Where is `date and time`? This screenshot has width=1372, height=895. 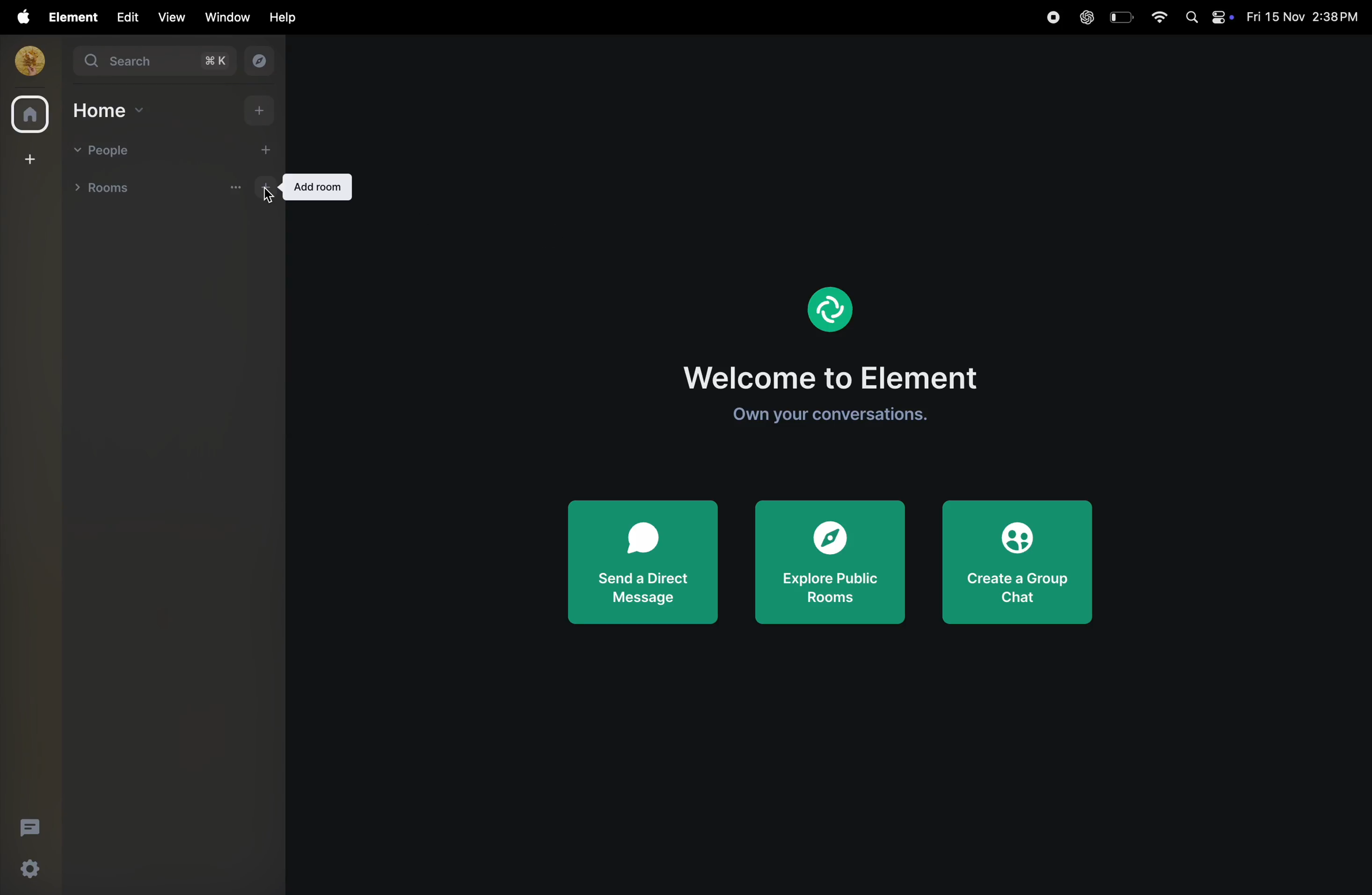
date and time is located at coordinates (1306, 17).